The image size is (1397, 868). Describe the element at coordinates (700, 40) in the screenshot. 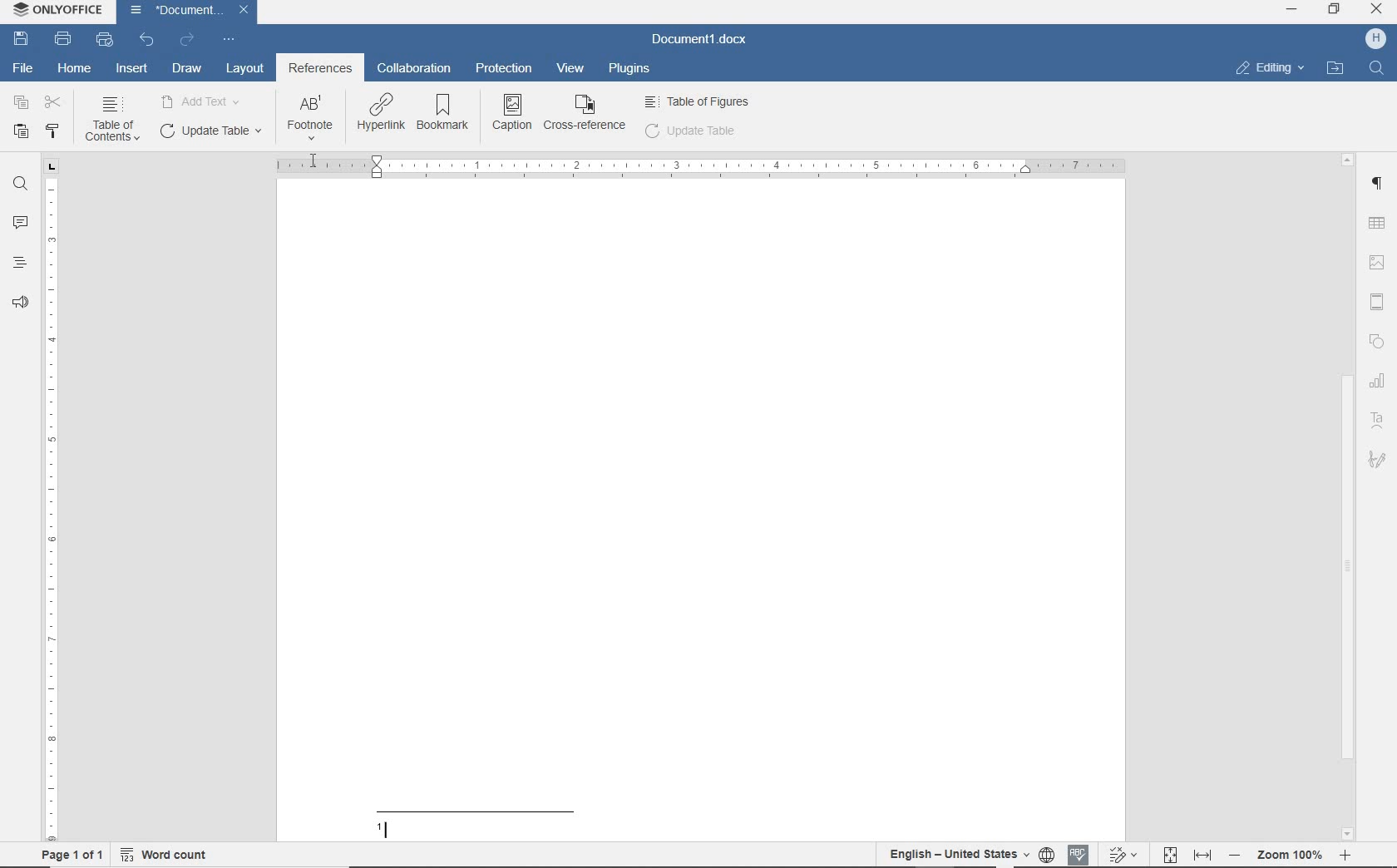

I see `document name` at that location.